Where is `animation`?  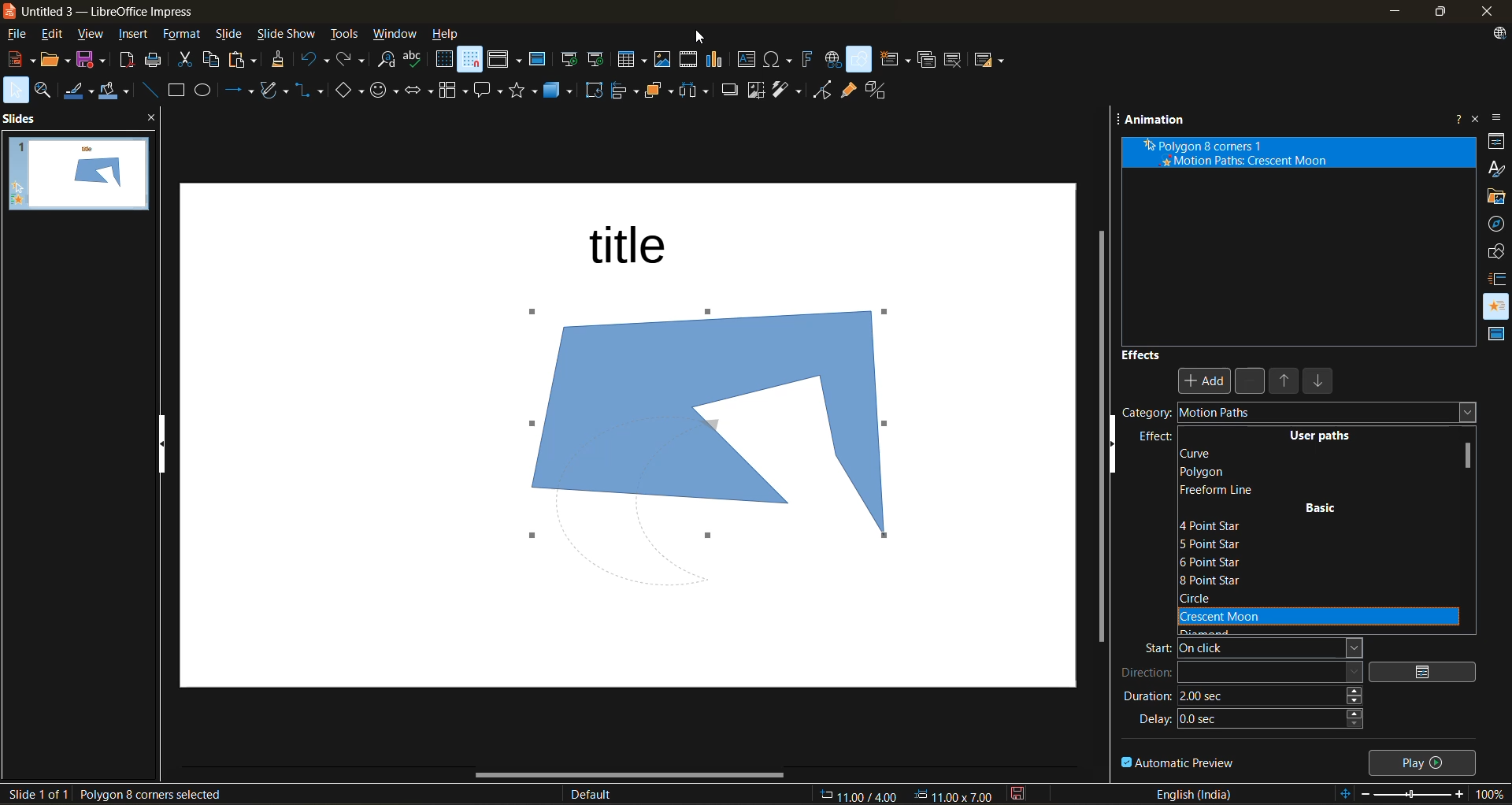
animation is located at coordinates (1492, 304).